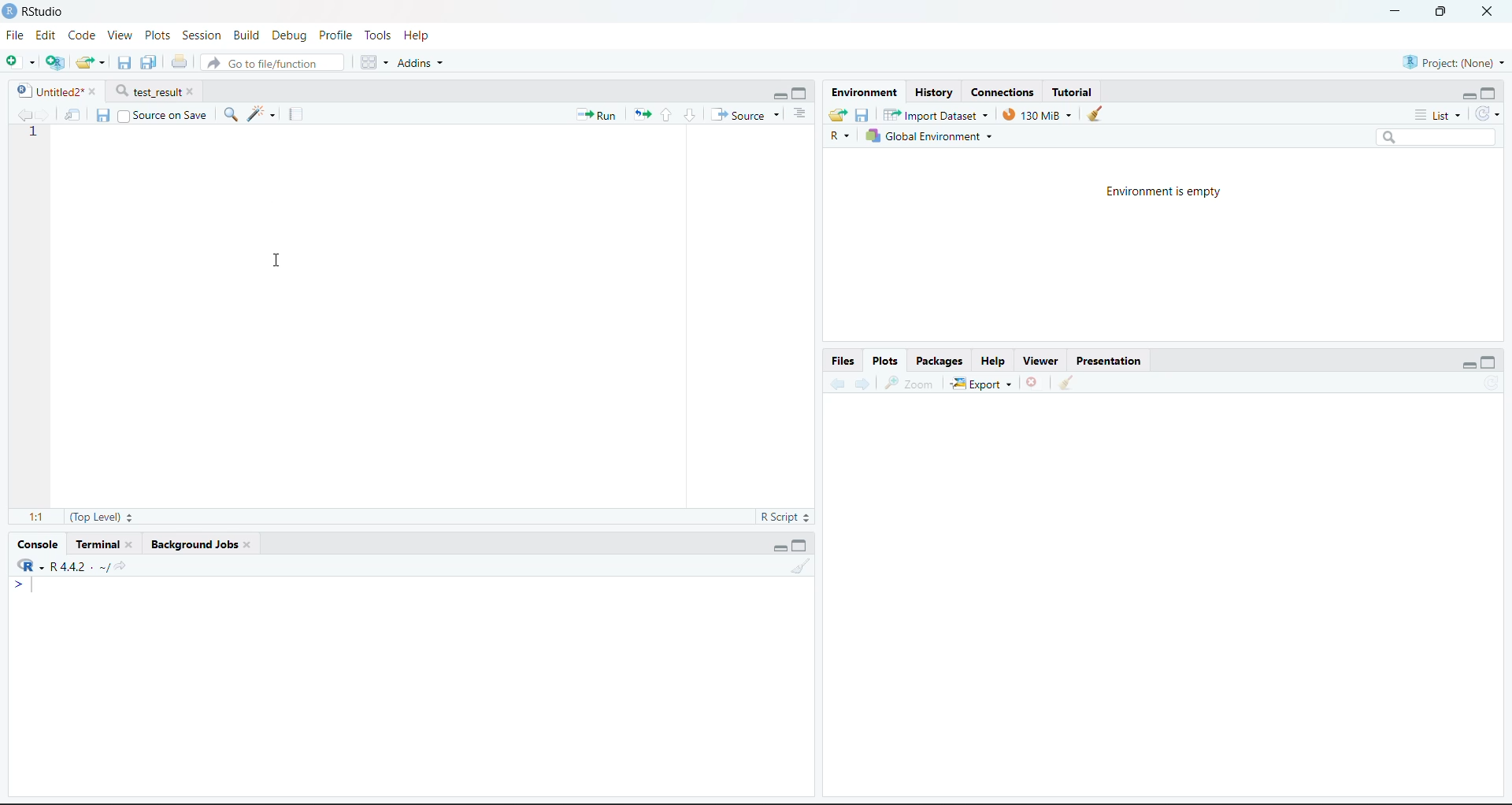  I want to click on Plots, so click(886, 360).